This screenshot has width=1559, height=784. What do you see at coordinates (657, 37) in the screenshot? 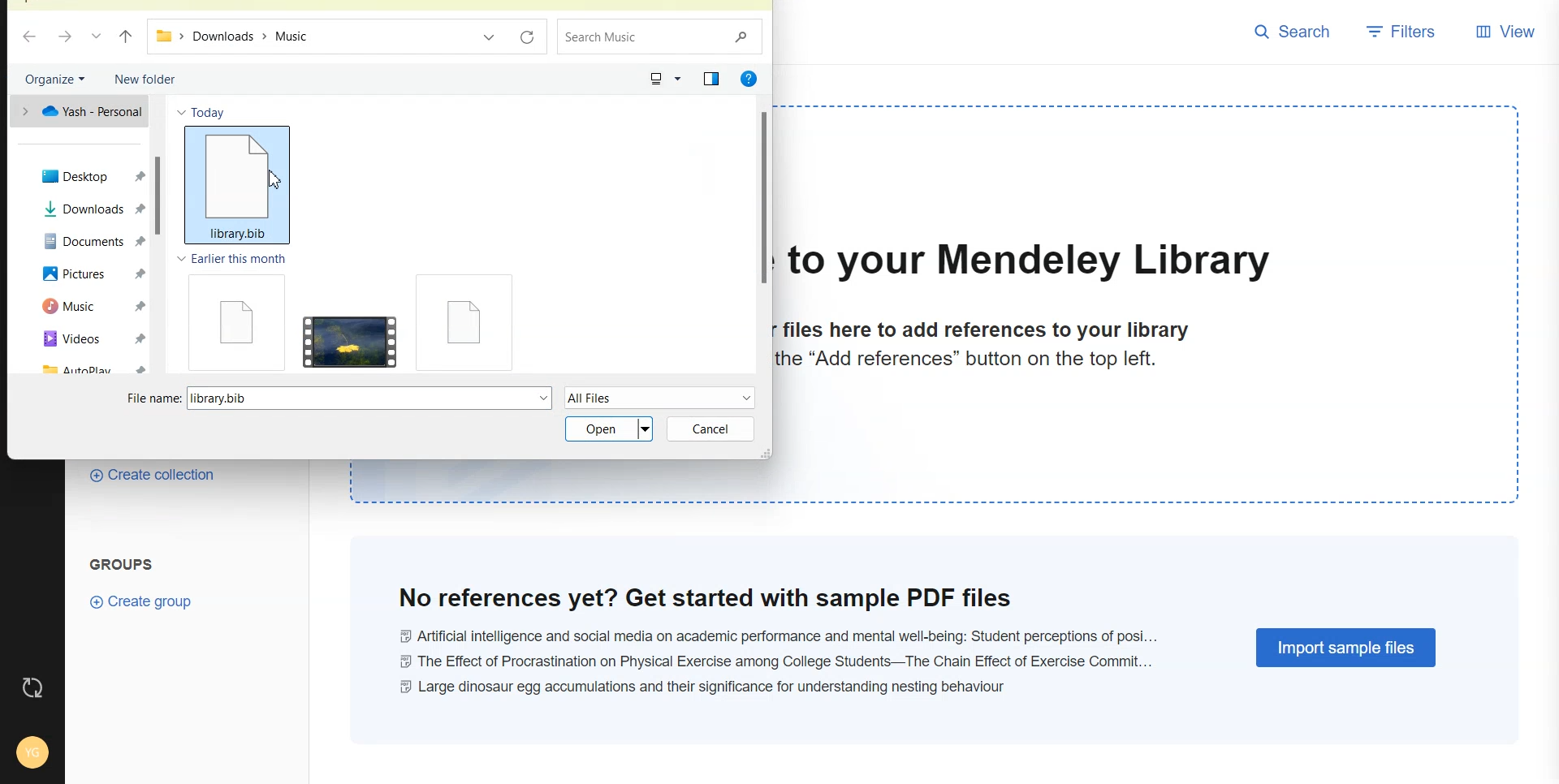
I see `Search bar` at bounding box center [657, 37].